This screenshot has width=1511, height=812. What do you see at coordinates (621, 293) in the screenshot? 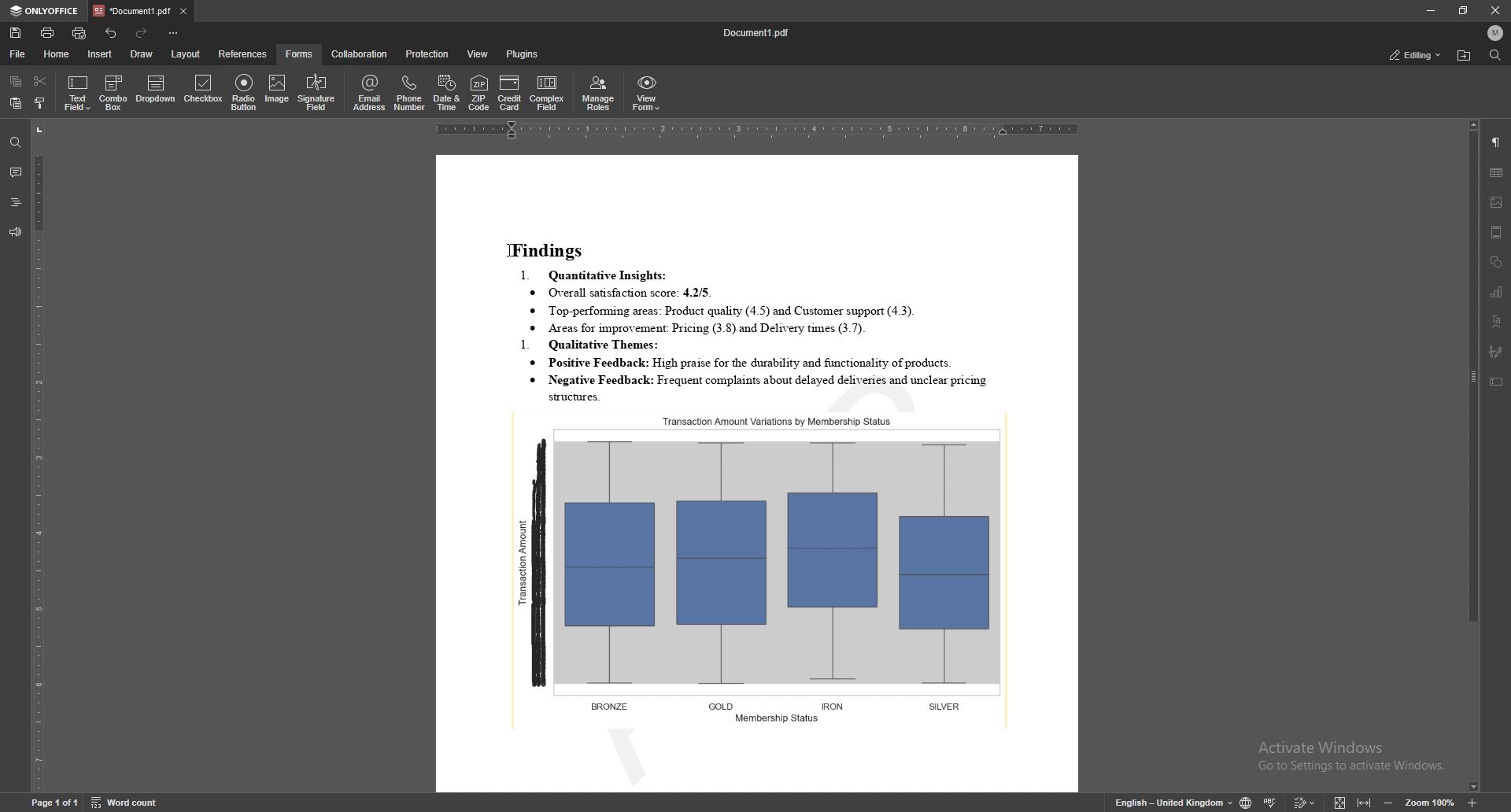
I see `® Overall satisfaction score: 4.2/5.` at bounding box center [621, 293].